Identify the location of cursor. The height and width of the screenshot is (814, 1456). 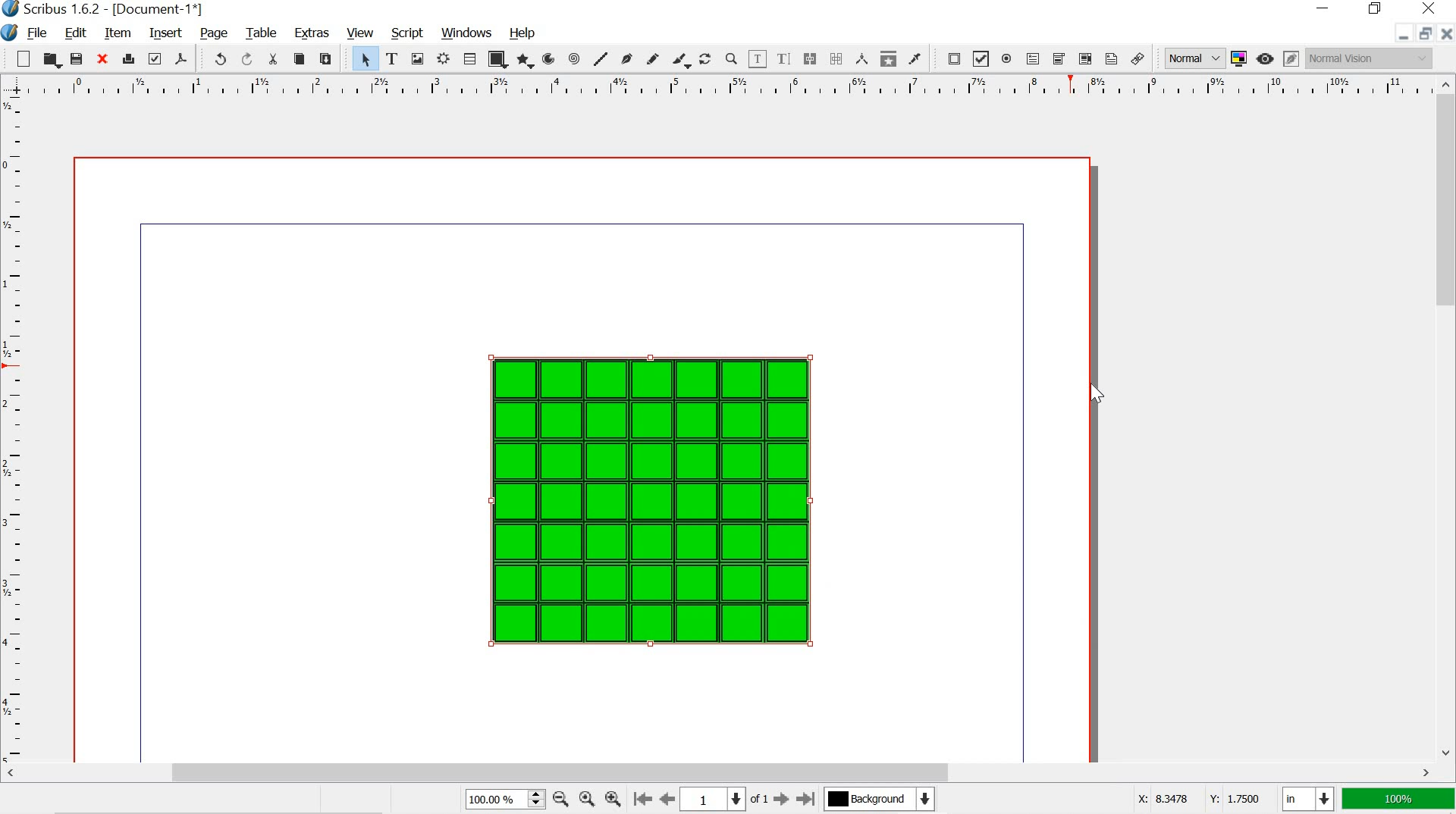
(1097, 392).